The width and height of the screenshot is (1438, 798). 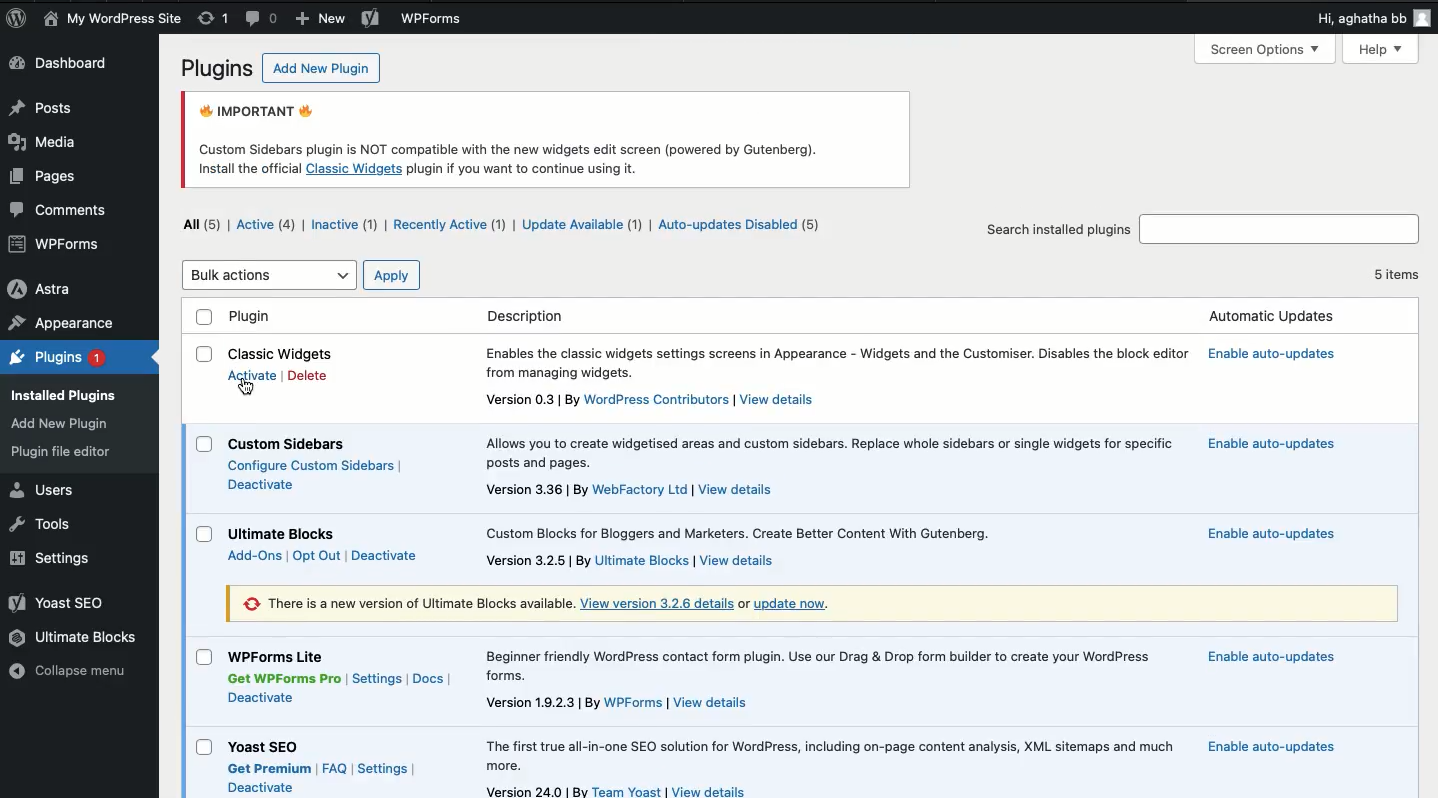 I want to click on Deactive, so click(x=386, y=555).